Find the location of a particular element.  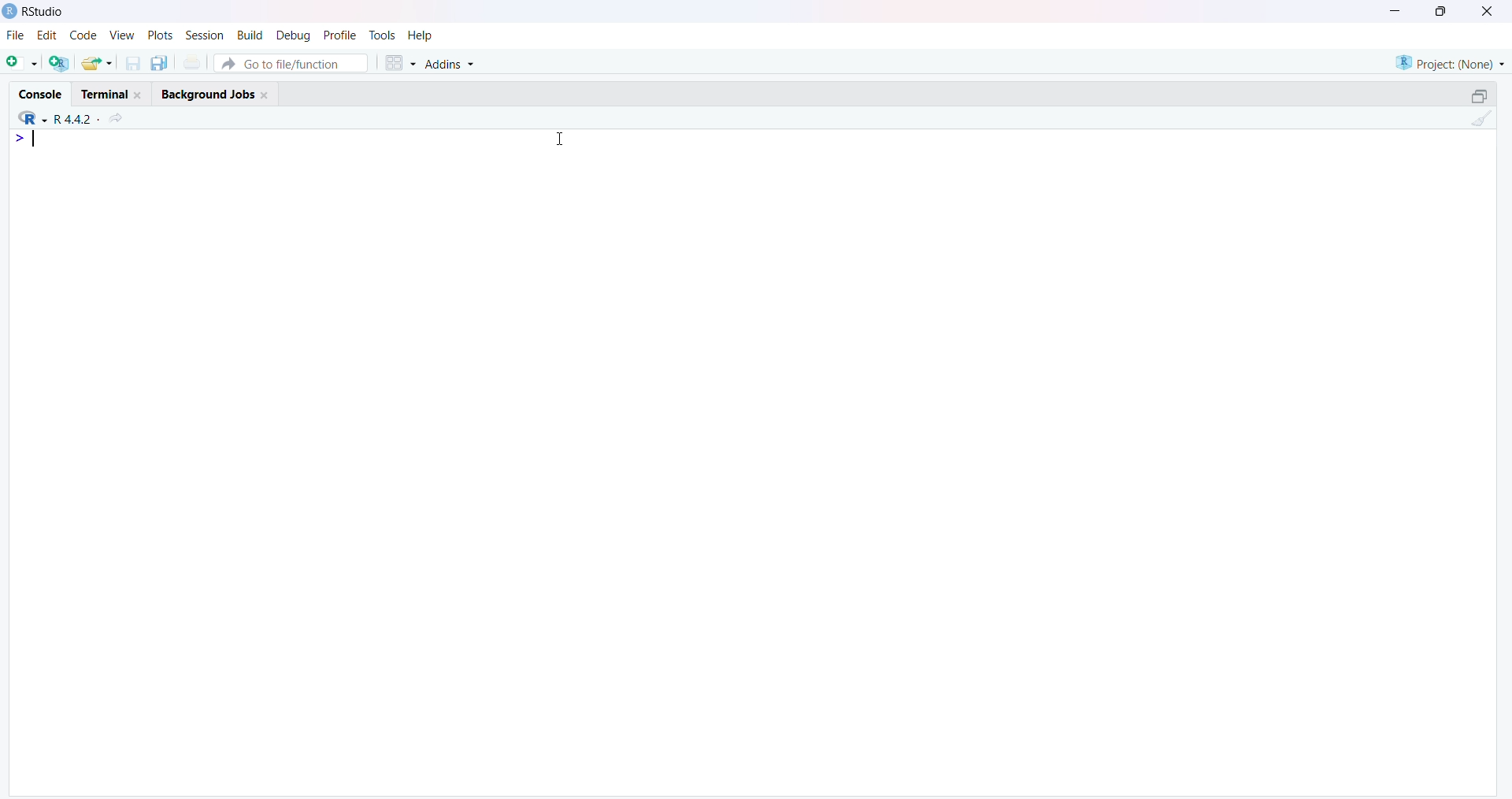

Edit is located at coordinates (46, 39).